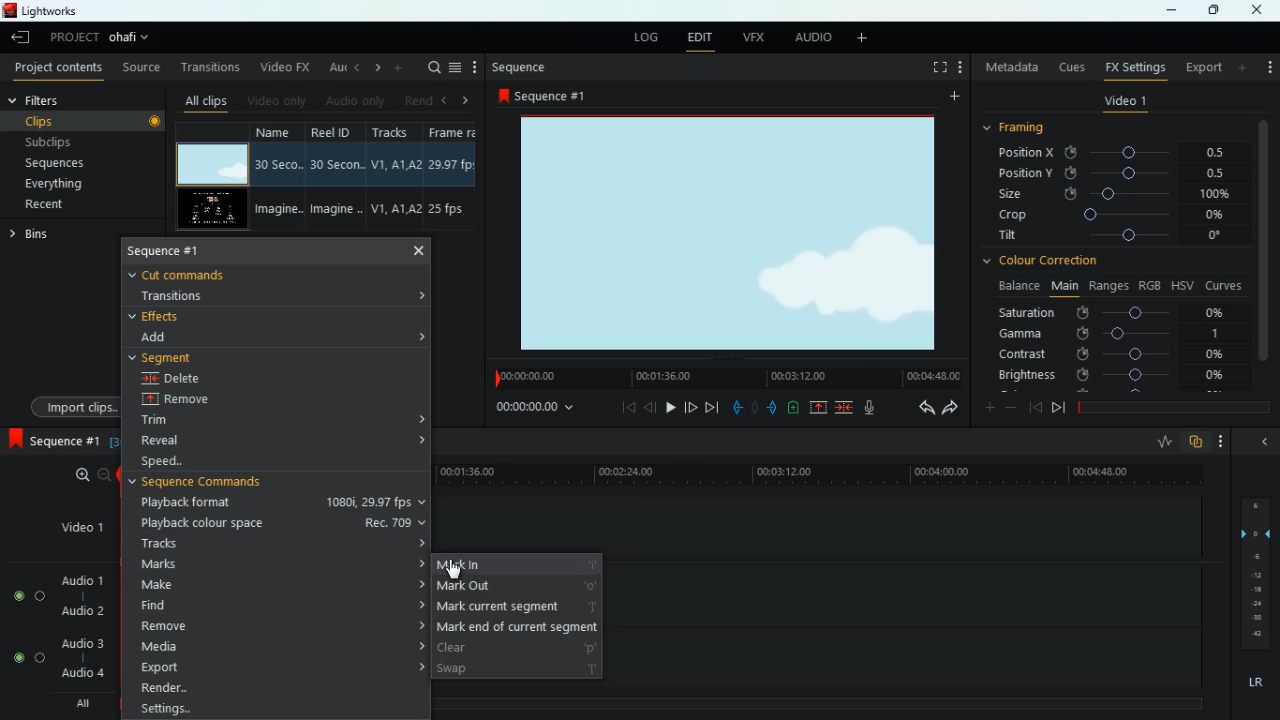 The width and height of the screenshot is (1280, 720). Describe the element at coordinates (396, 210) in the screenshot. I see `V1, A1, A2` at that location.